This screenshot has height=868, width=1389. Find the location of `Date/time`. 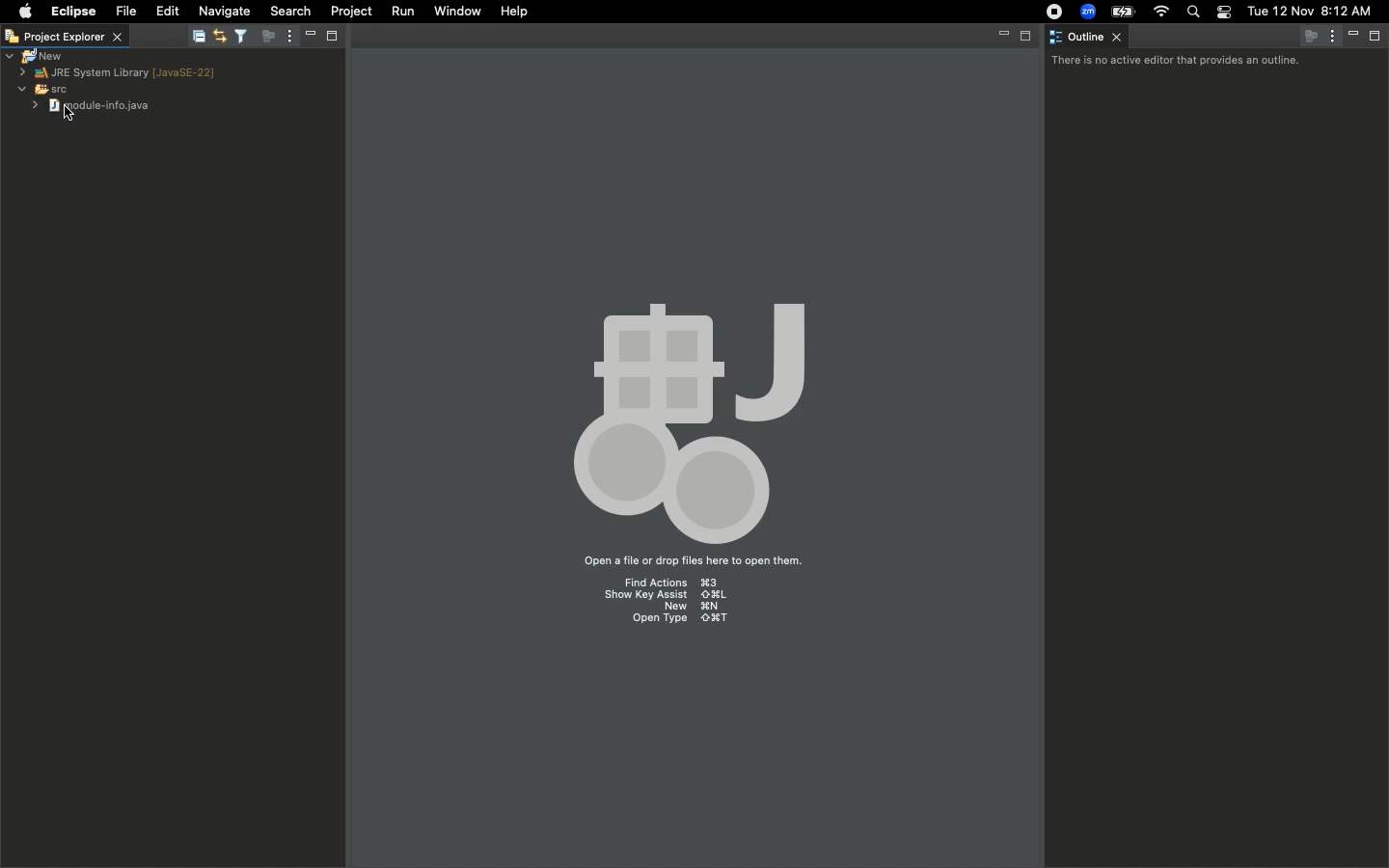

Date/time is located at coordinates (1309, 11).